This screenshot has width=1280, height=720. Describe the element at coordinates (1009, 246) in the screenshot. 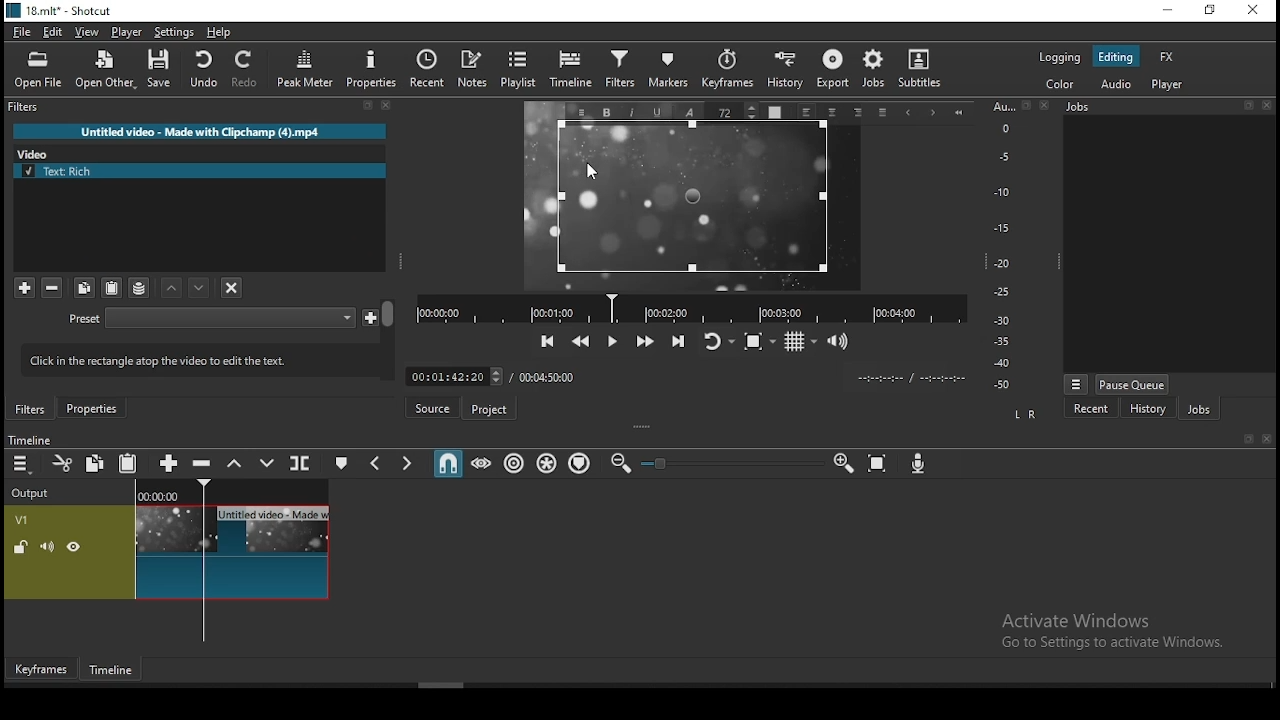

I see `Audio Level` at that location.